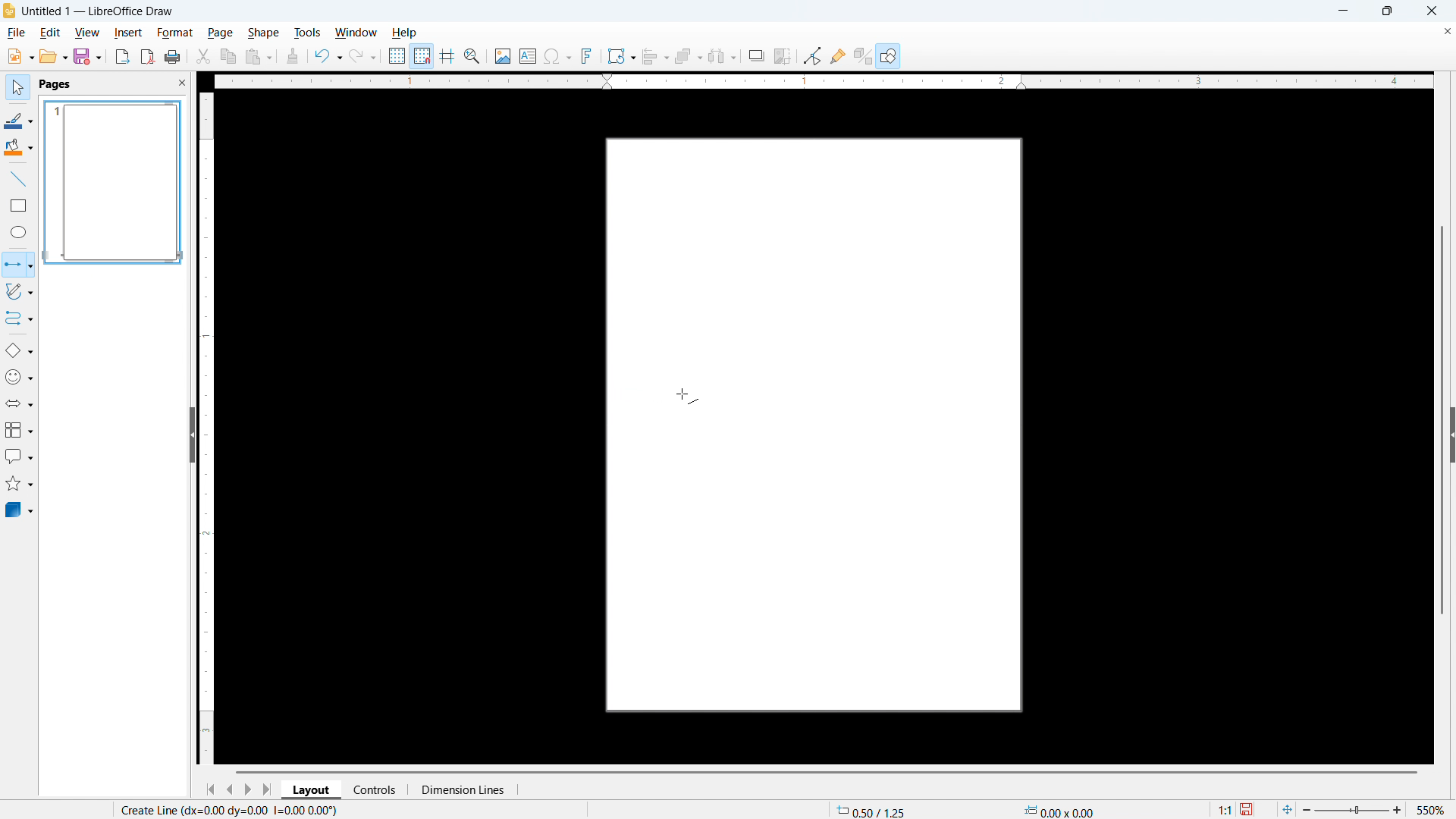  What do you see at coordinates (17, 265) in the screenshot?
I see `lline with circle end selected` at bounding box center [17, 265].